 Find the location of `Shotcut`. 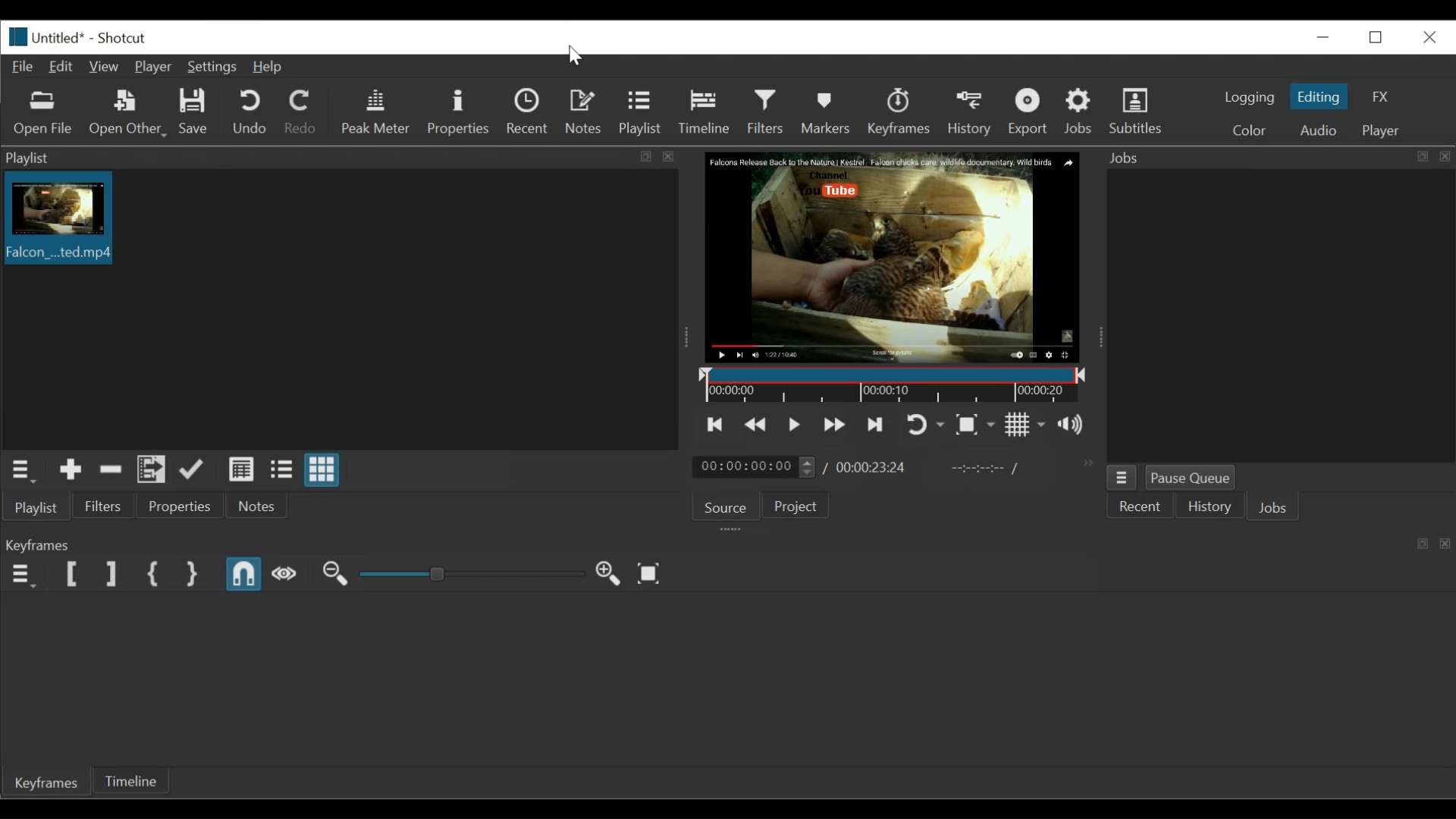

Shotcut is located at coordinates (124, 39).